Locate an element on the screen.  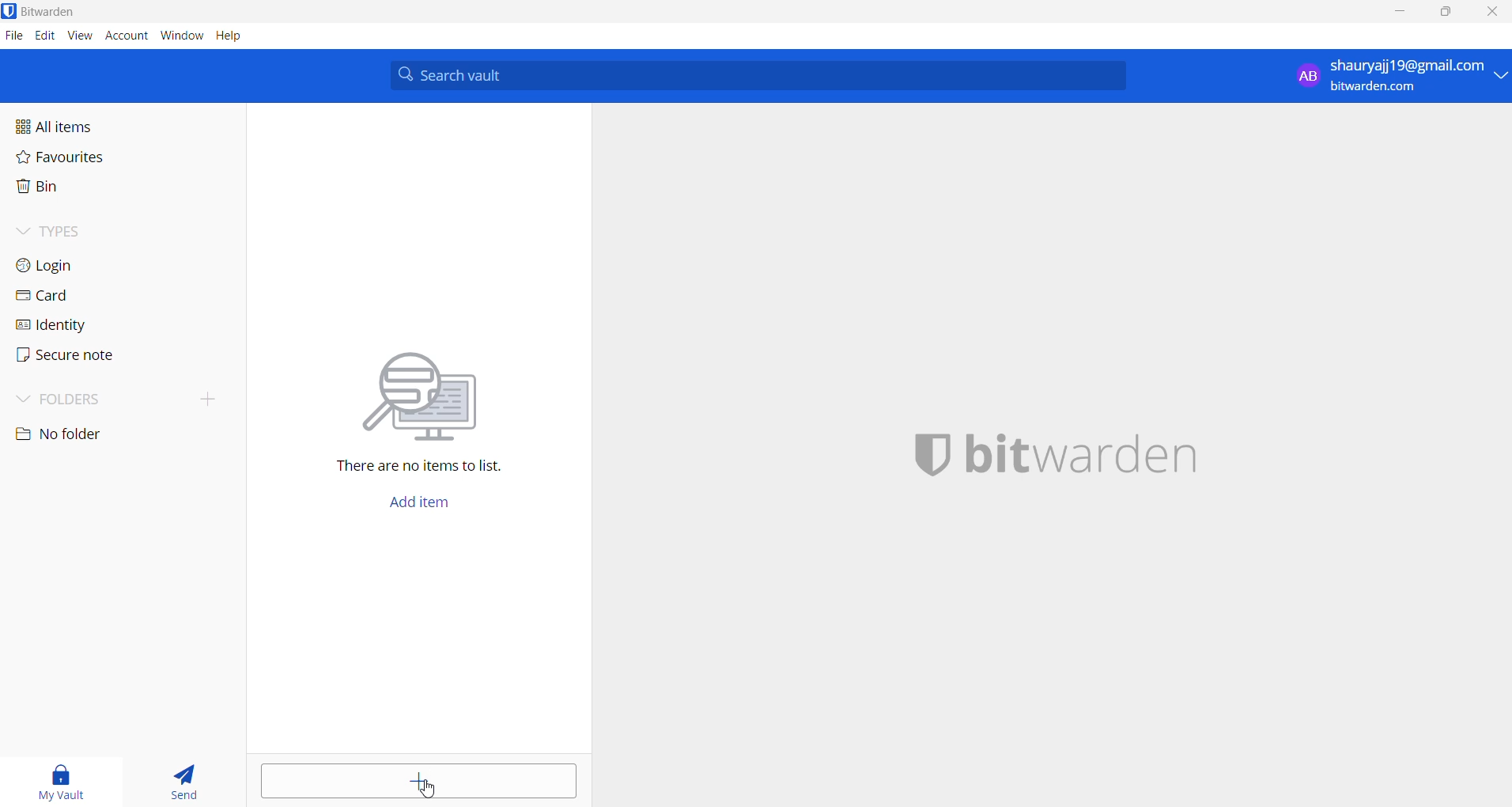
Favorites is located at coordinates (96, 161).